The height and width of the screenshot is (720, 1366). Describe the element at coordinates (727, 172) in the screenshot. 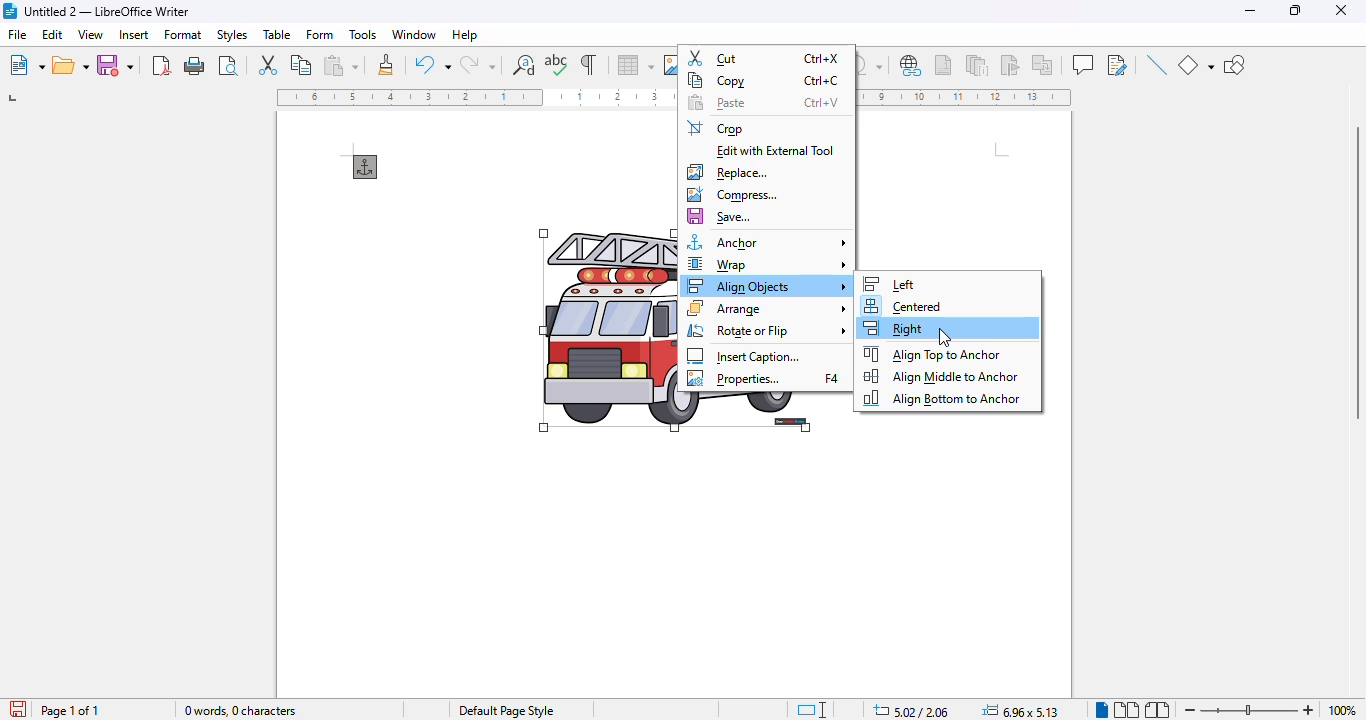

I see `replace` at that location.